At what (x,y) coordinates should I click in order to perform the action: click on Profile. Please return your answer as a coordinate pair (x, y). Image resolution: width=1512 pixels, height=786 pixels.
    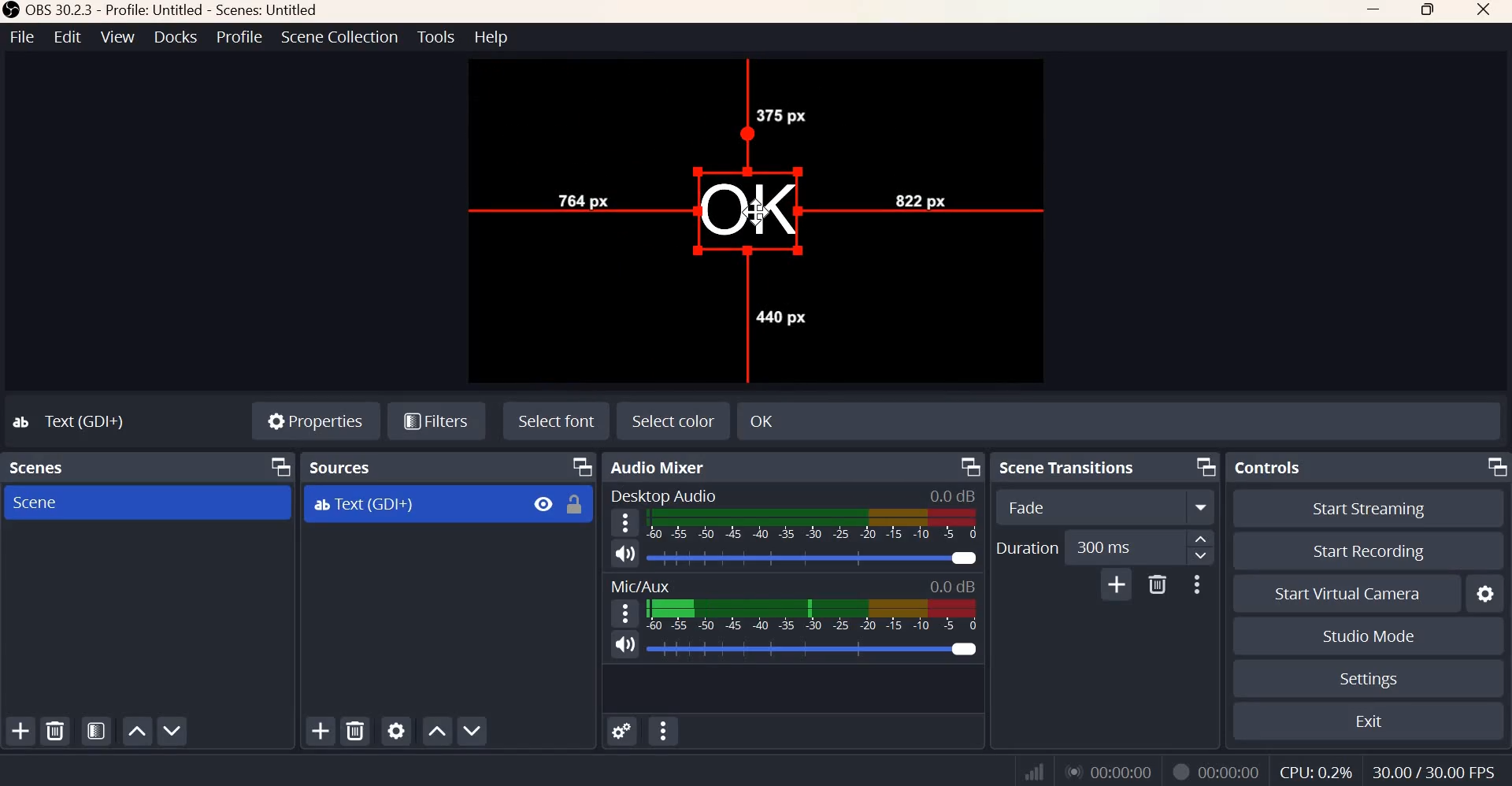
    Looking at the image, I should click on (240, 36).